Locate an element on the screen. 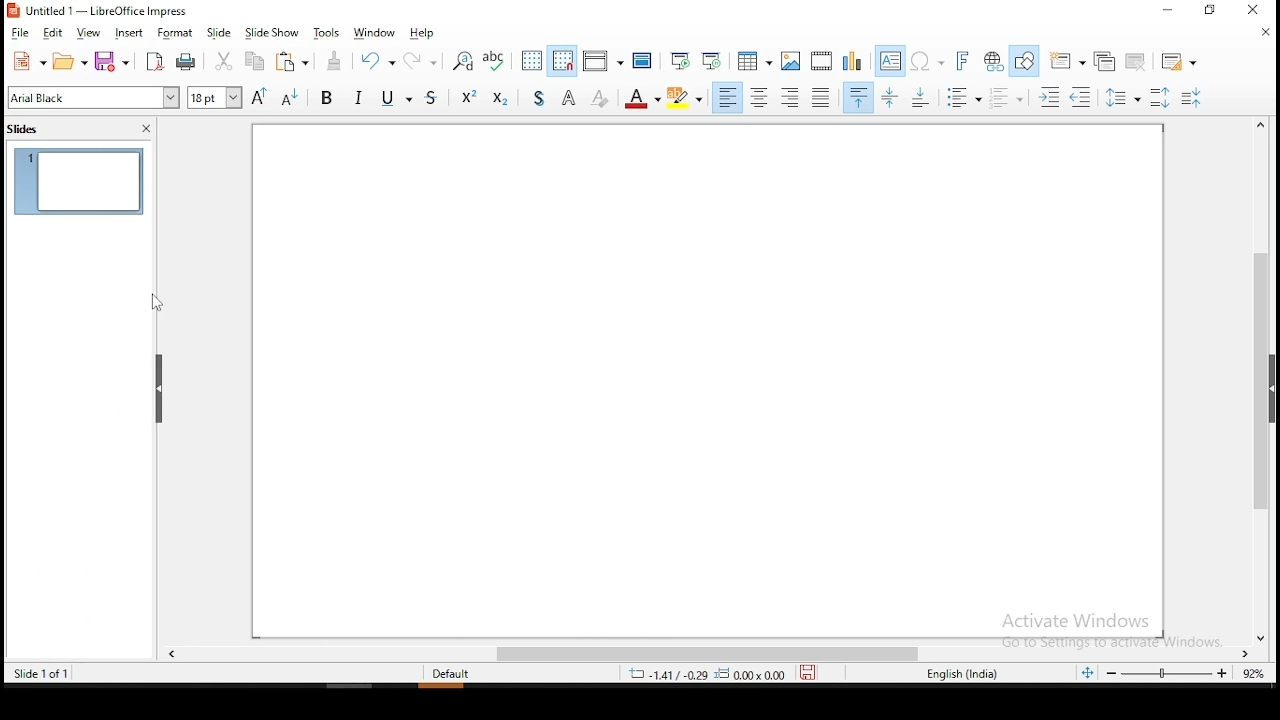 The height and width of the screenshot is (720, 1280). paste is located at coordinates (298, 63).